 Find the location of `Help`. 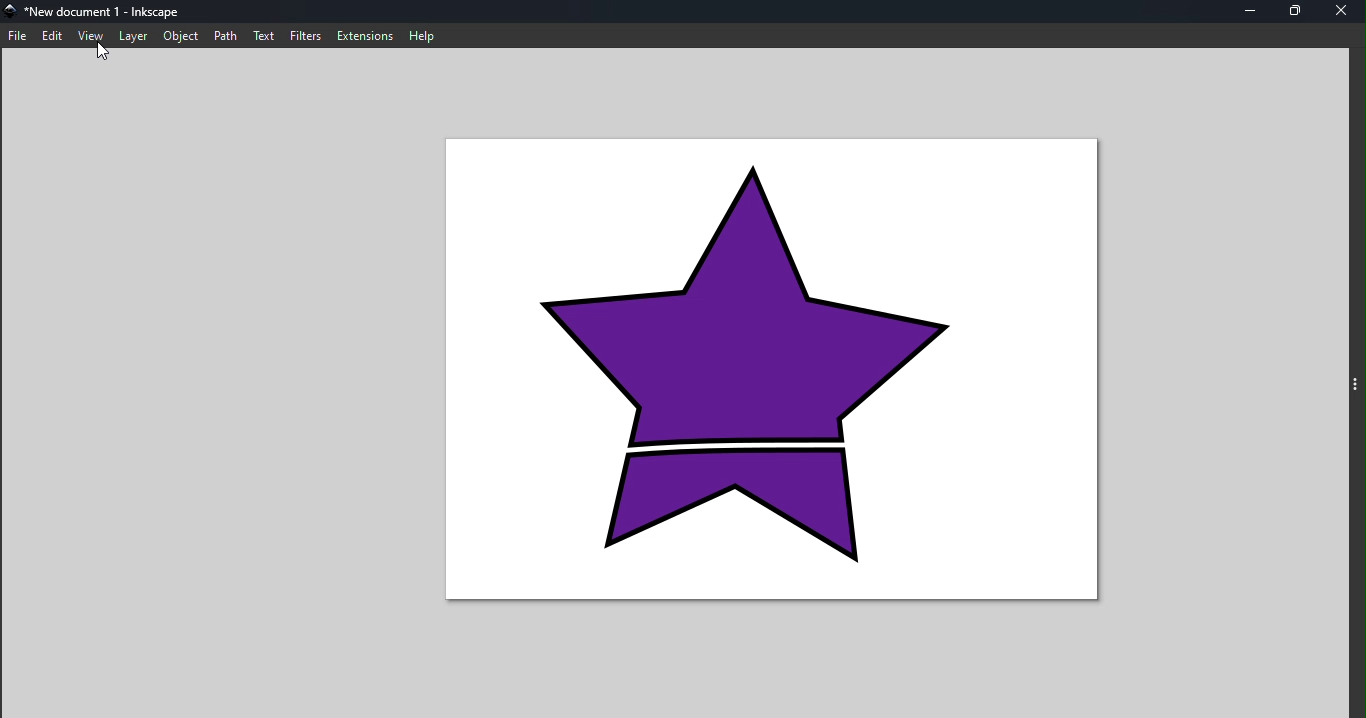

Help is located at coordinates (424, 34).